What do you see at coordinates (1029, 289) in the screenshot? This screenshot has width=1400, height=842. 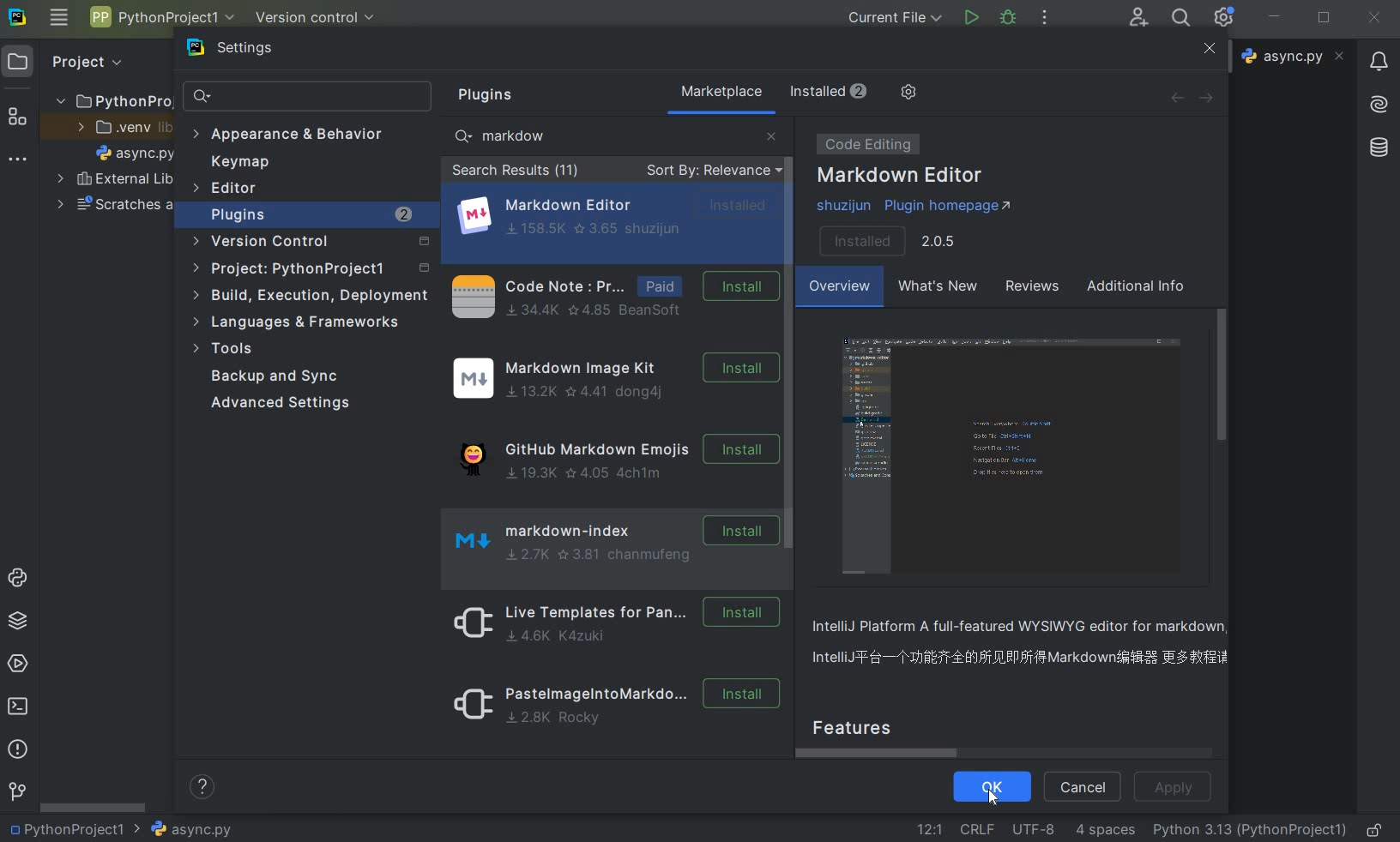 I see `reviews` at bounding box center [1029, 289].